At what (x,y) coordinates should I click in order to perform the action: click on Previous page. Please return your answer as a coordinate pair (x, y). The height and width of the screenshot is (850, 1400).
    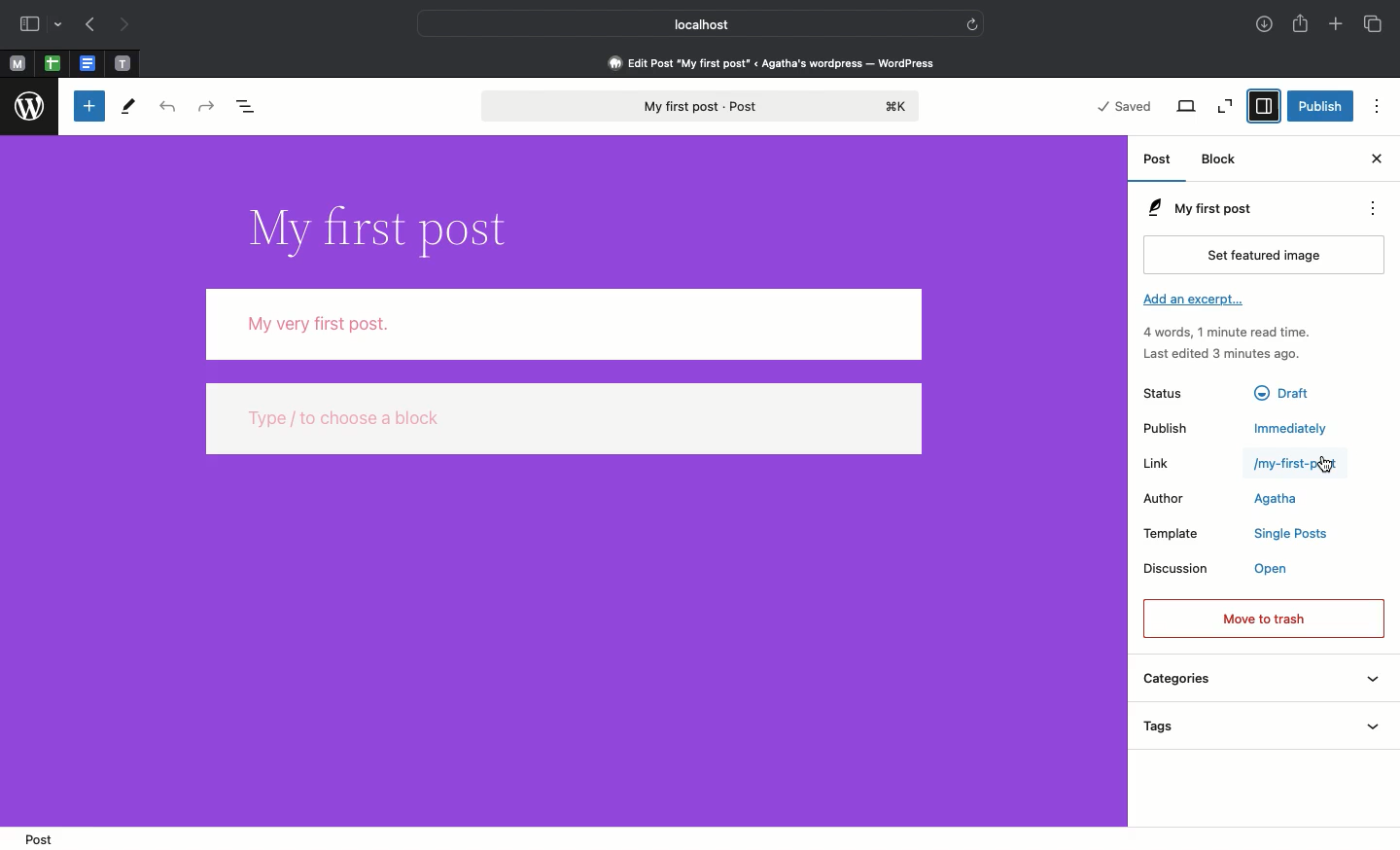
    Looking at the image, I should click on (88, 25).